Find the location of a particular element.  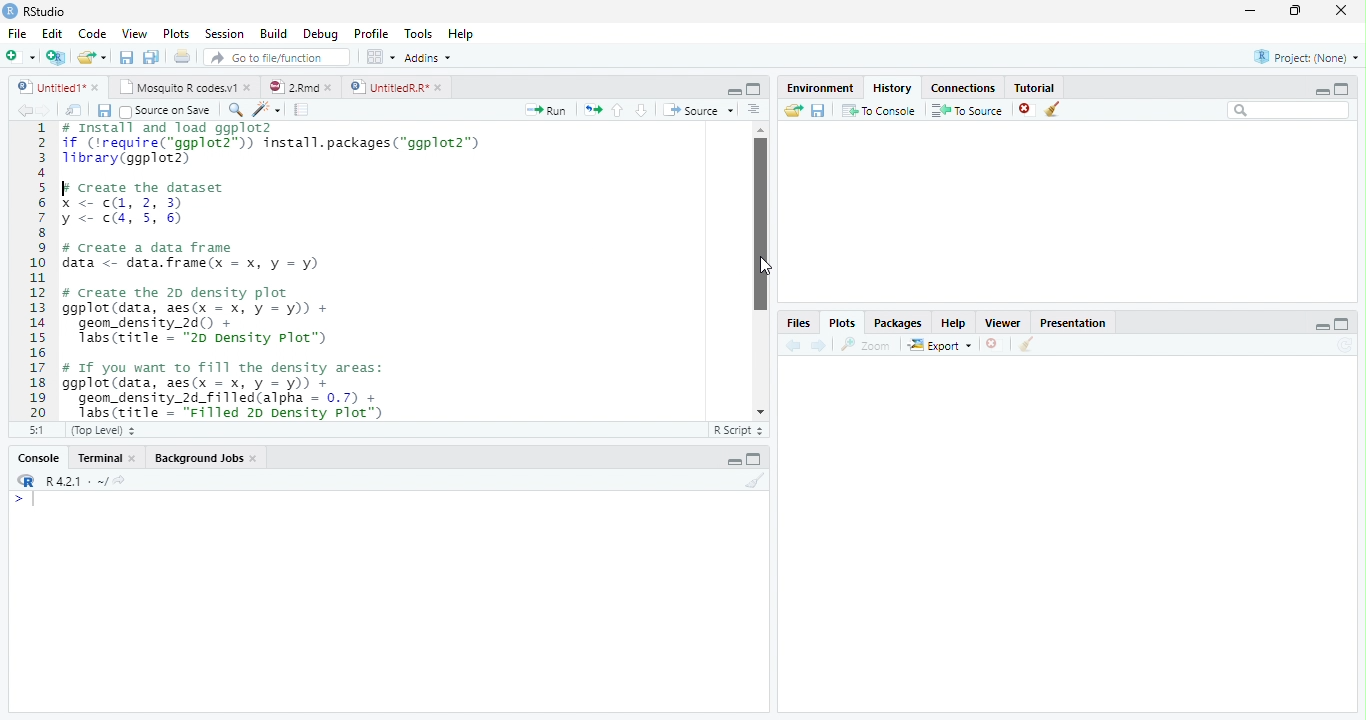

close is located at coordinates (256, 460).